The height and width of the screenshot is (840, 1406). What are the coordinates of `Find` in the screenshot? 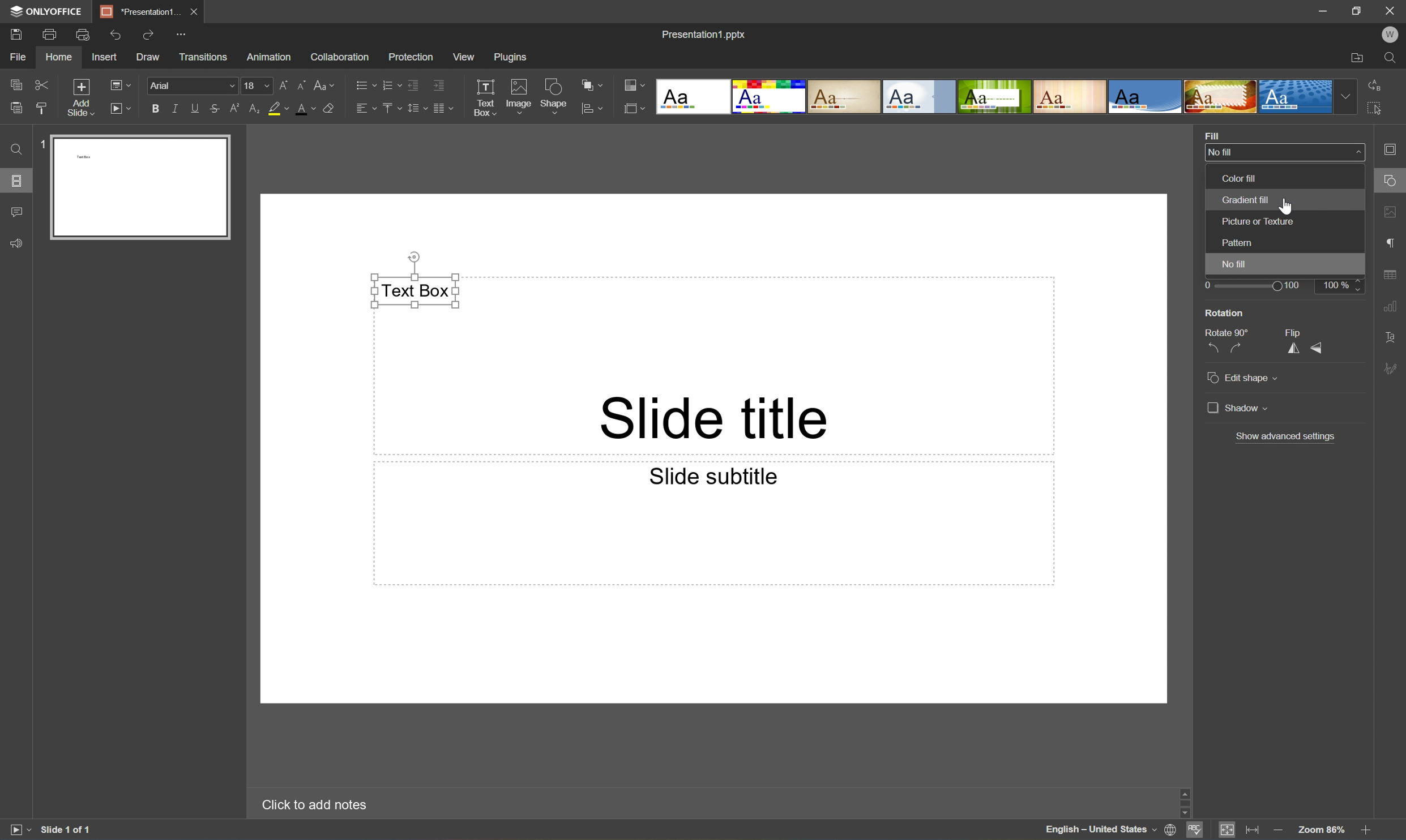 It's located at (1393, 58).